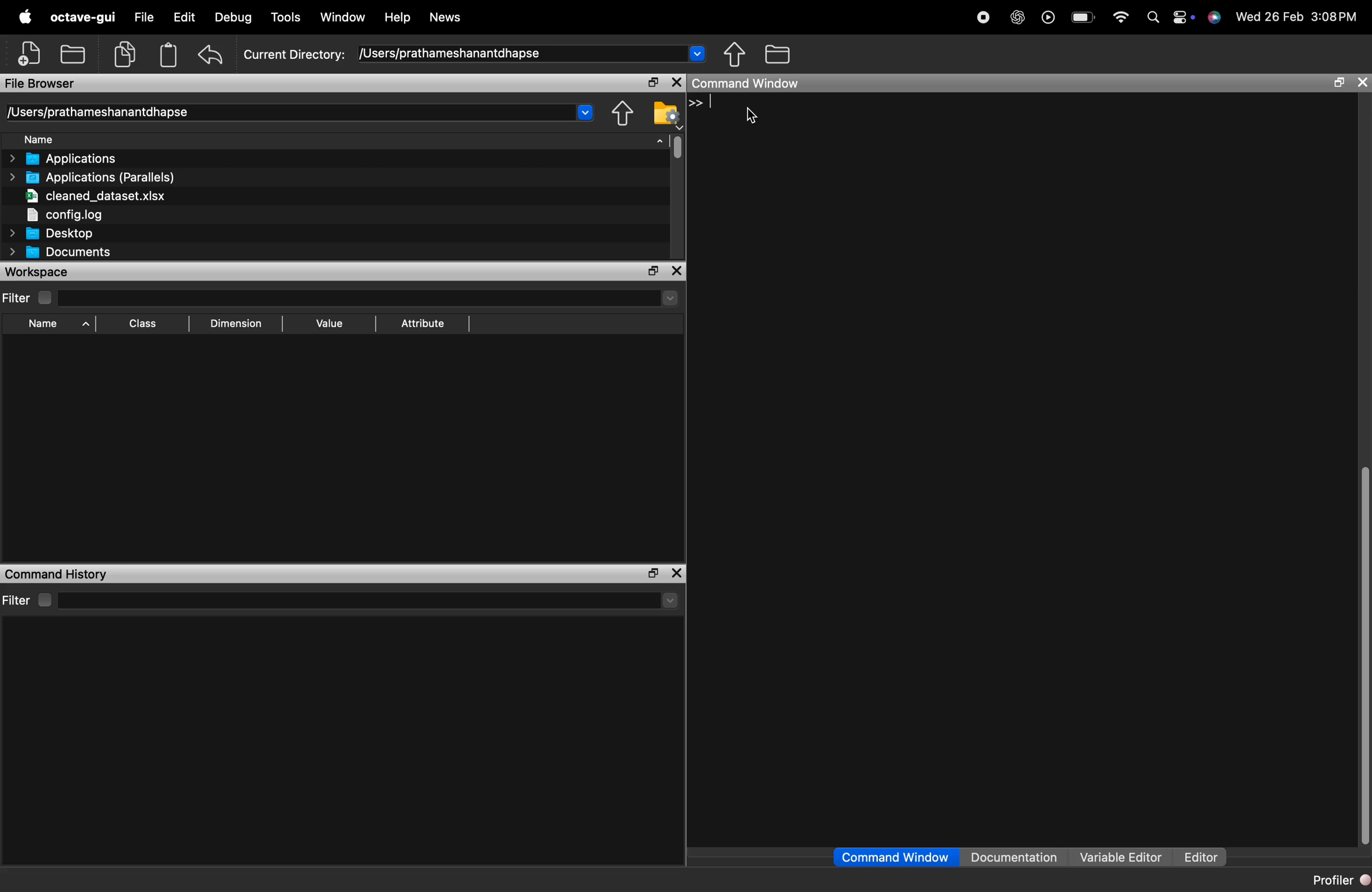 This screenshot has width=1372, height=892. Describe the element at coordinates (1122, 14) in the screenshot. I see `wifi` at that location.